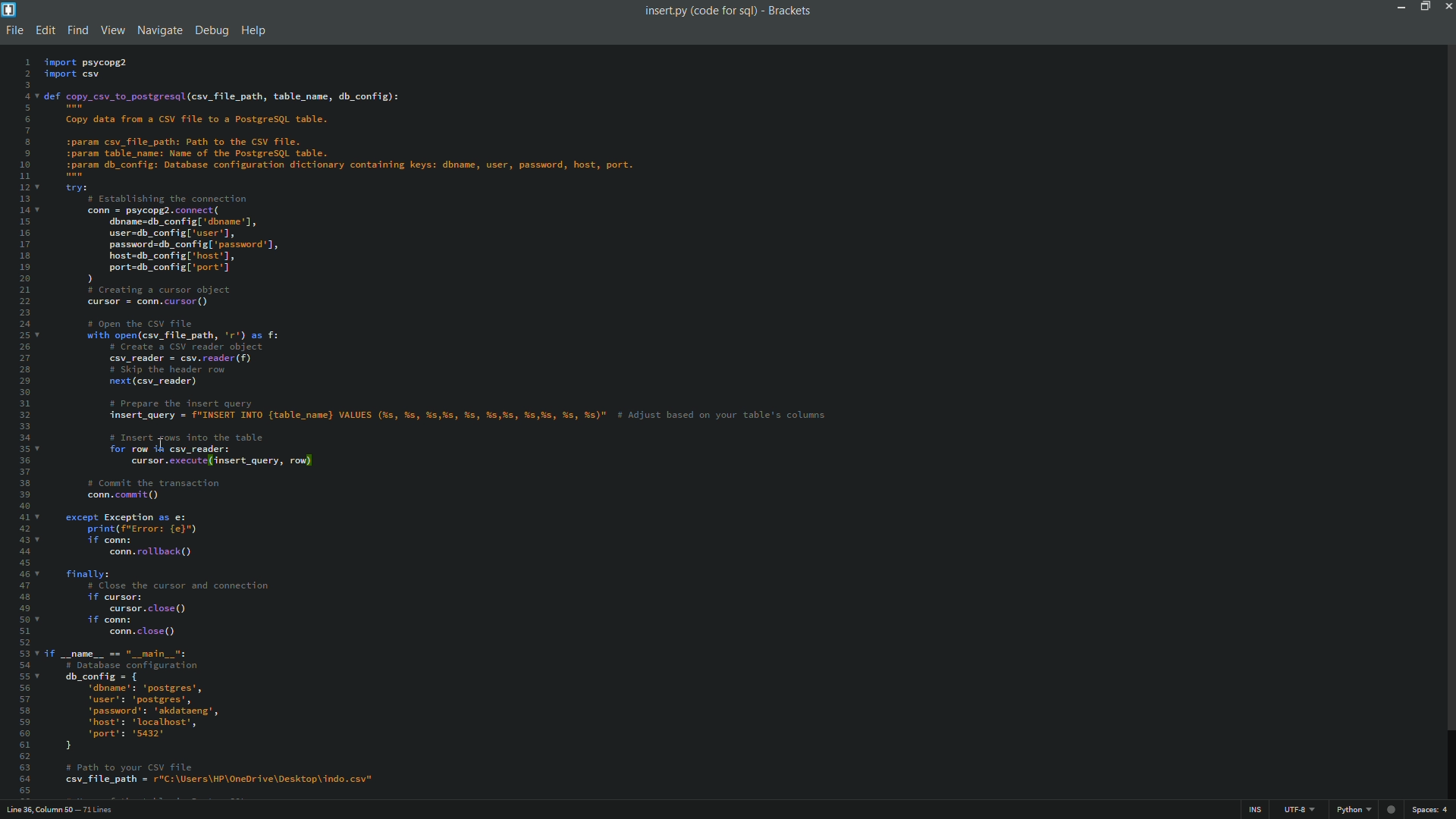 The height and width of the screenshot is (819, 1456). Describe the element at coordinates (111, 30) in the screenshot. I see `view menu` at that location.